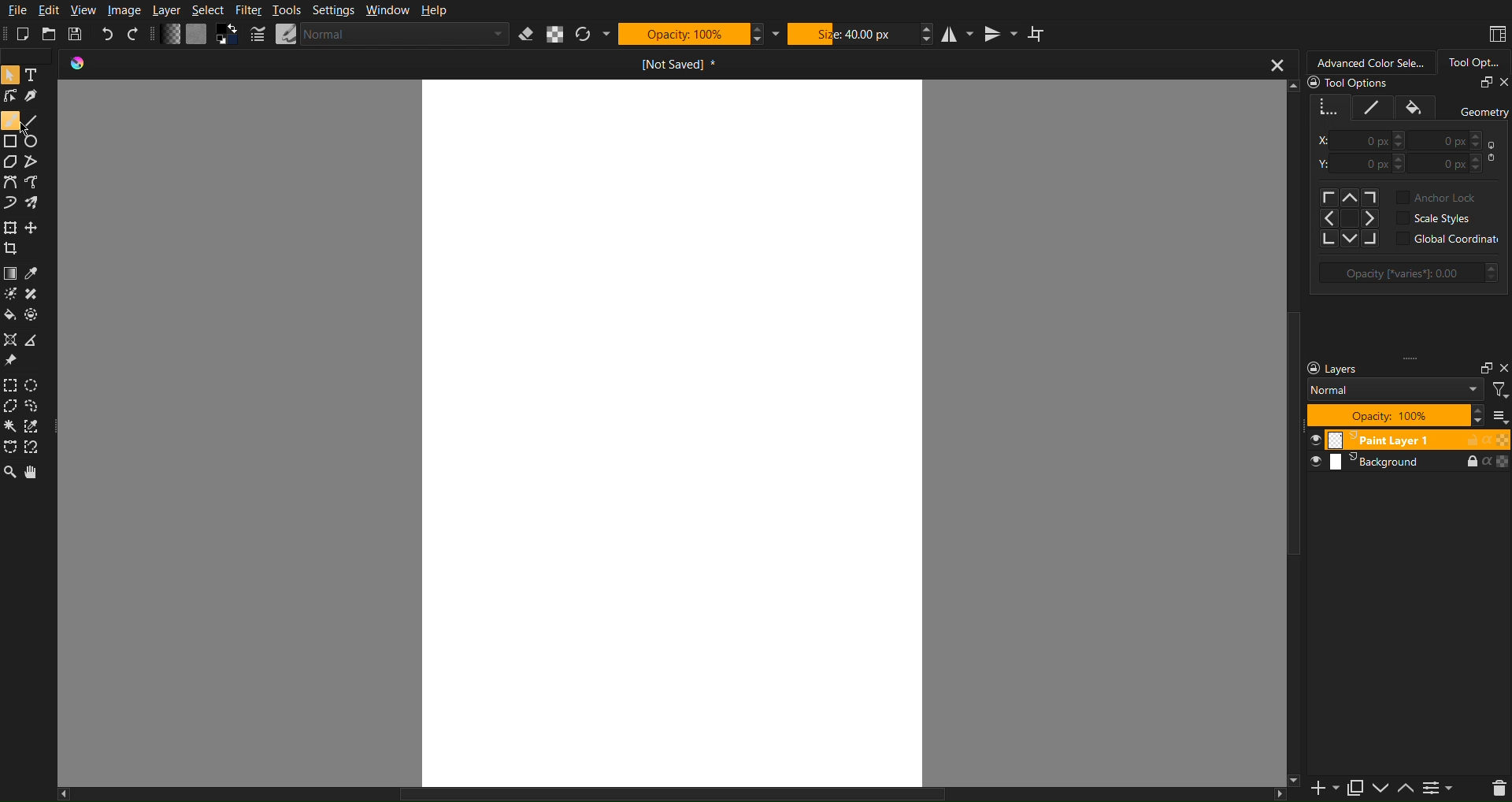  Describe the element at coordinates (678, 64) in the screenshot. I see `Current Document` at that location.